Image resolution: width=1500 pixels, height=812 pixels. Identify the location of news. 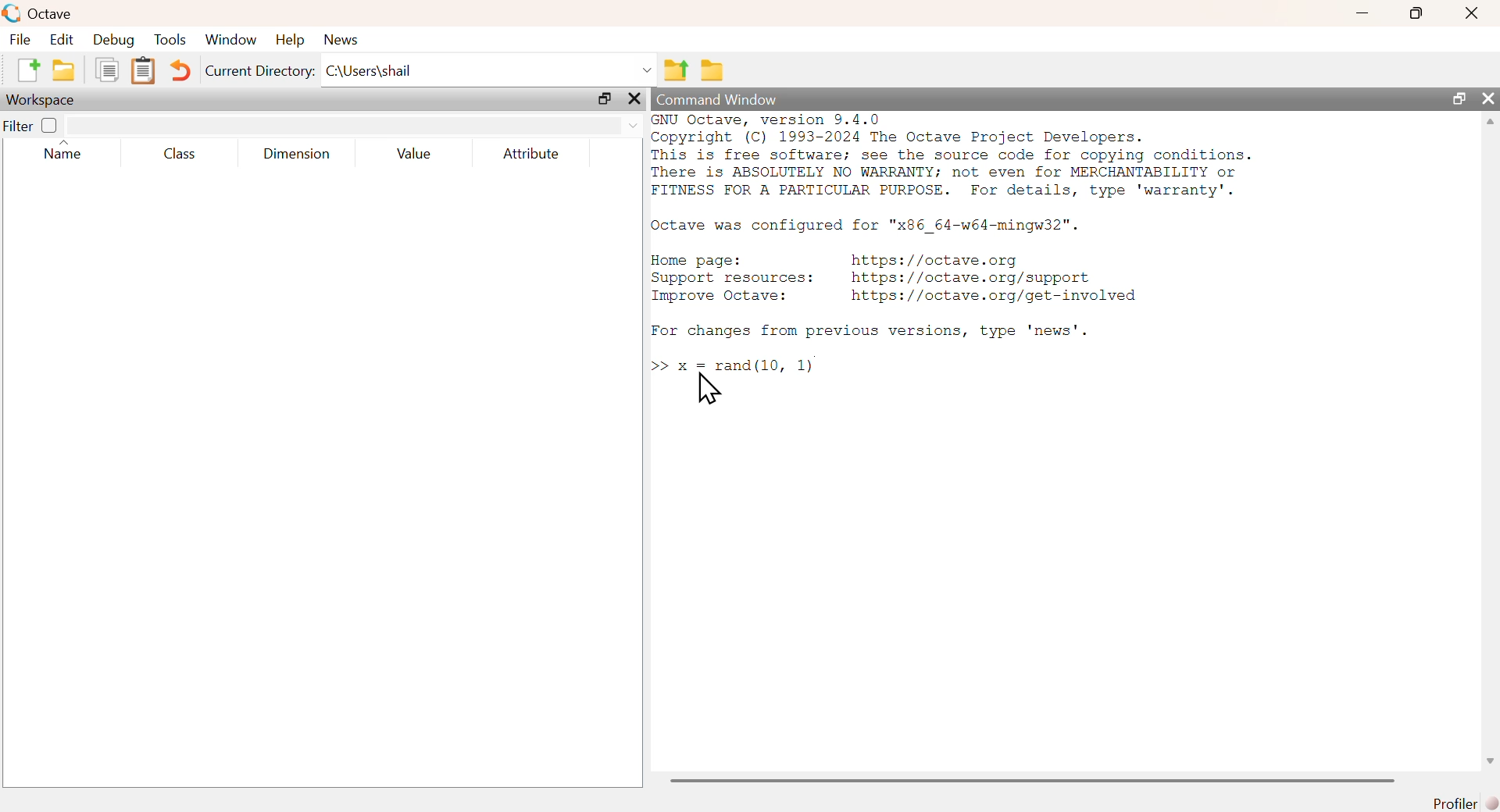
(341, 40).